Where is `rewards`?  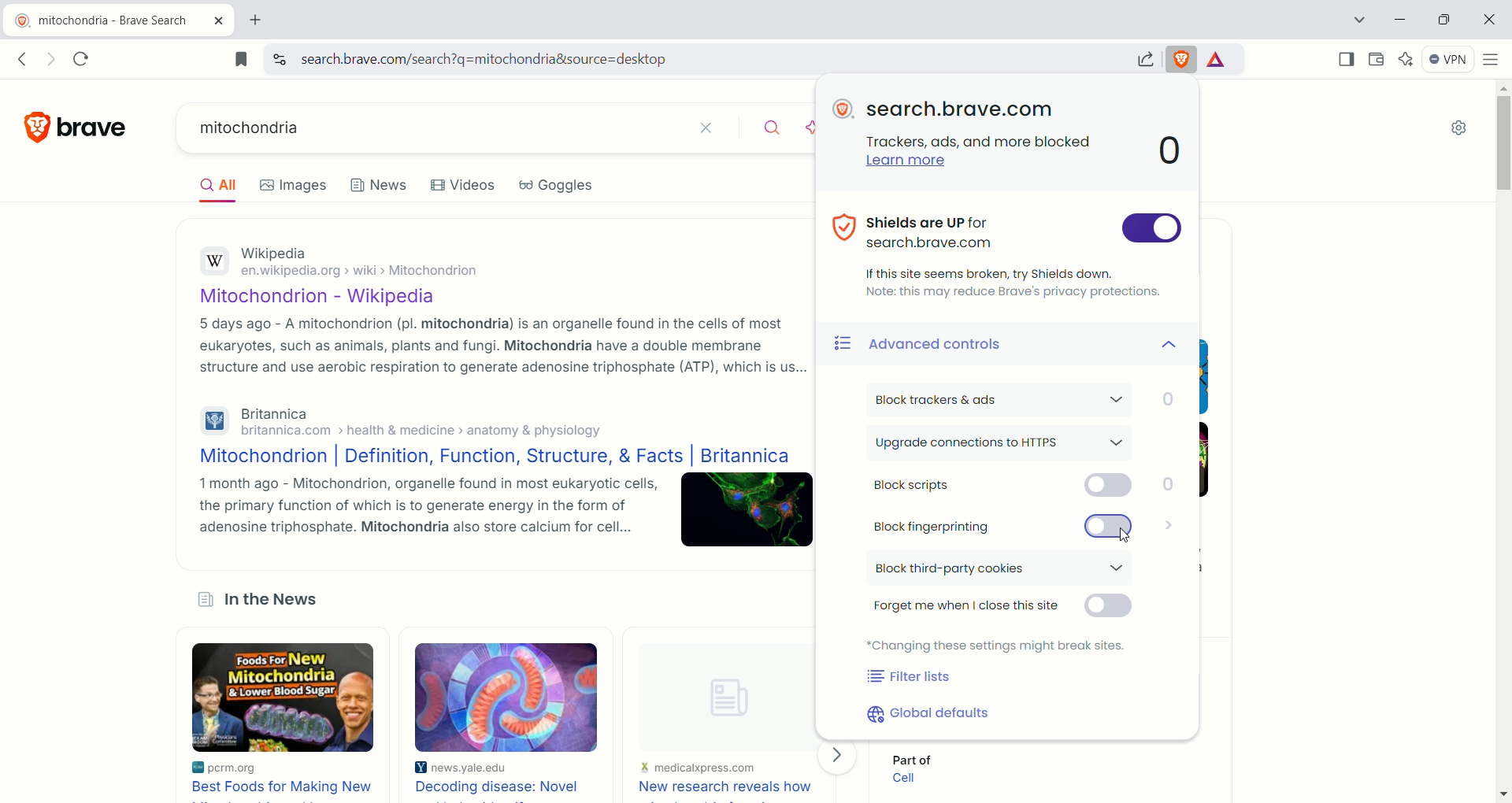 rewards is located at coordinates (1218, 60).